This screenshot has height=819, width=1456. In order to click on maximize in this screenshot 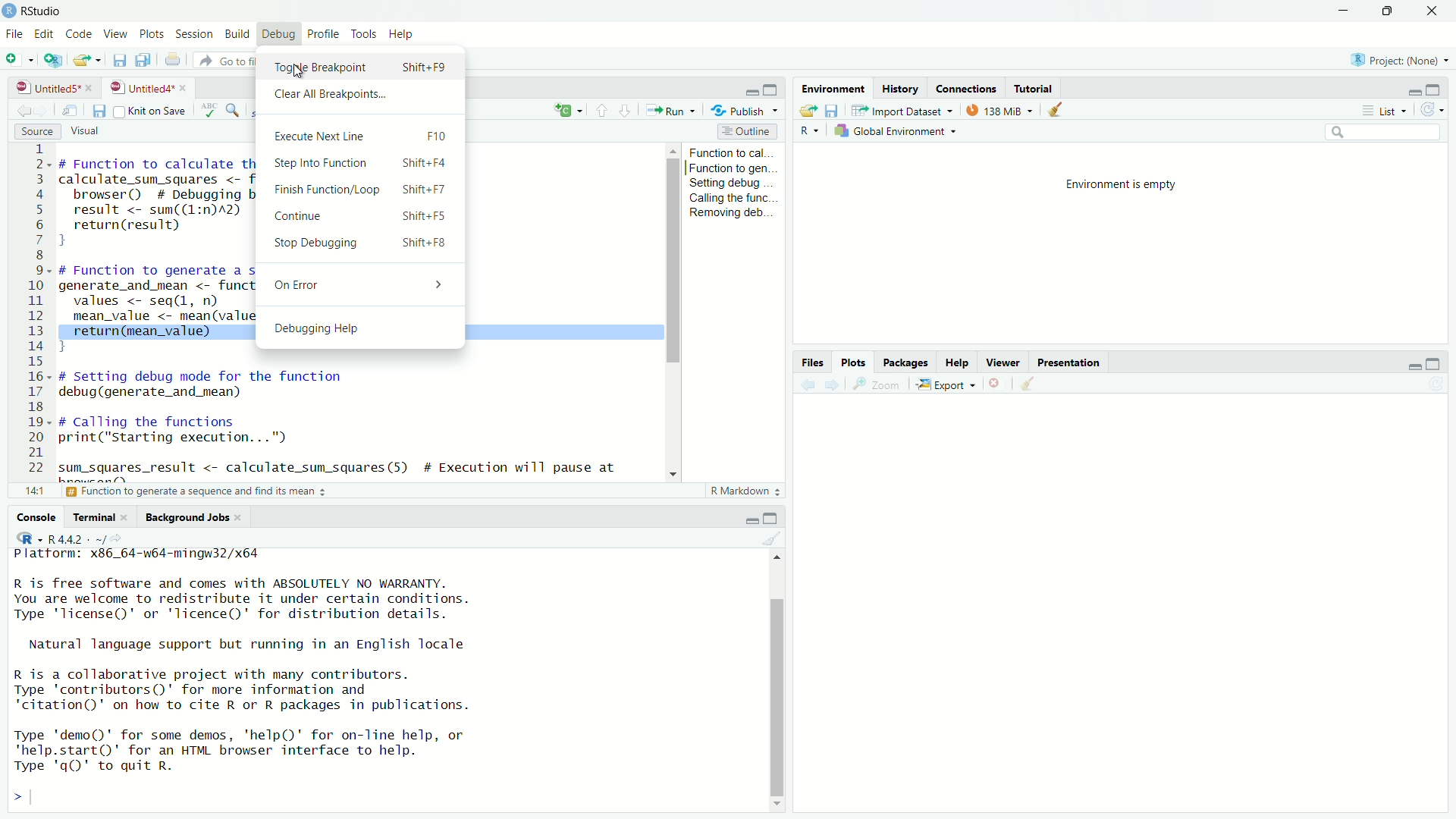, I will do `click(1437, 88)`.